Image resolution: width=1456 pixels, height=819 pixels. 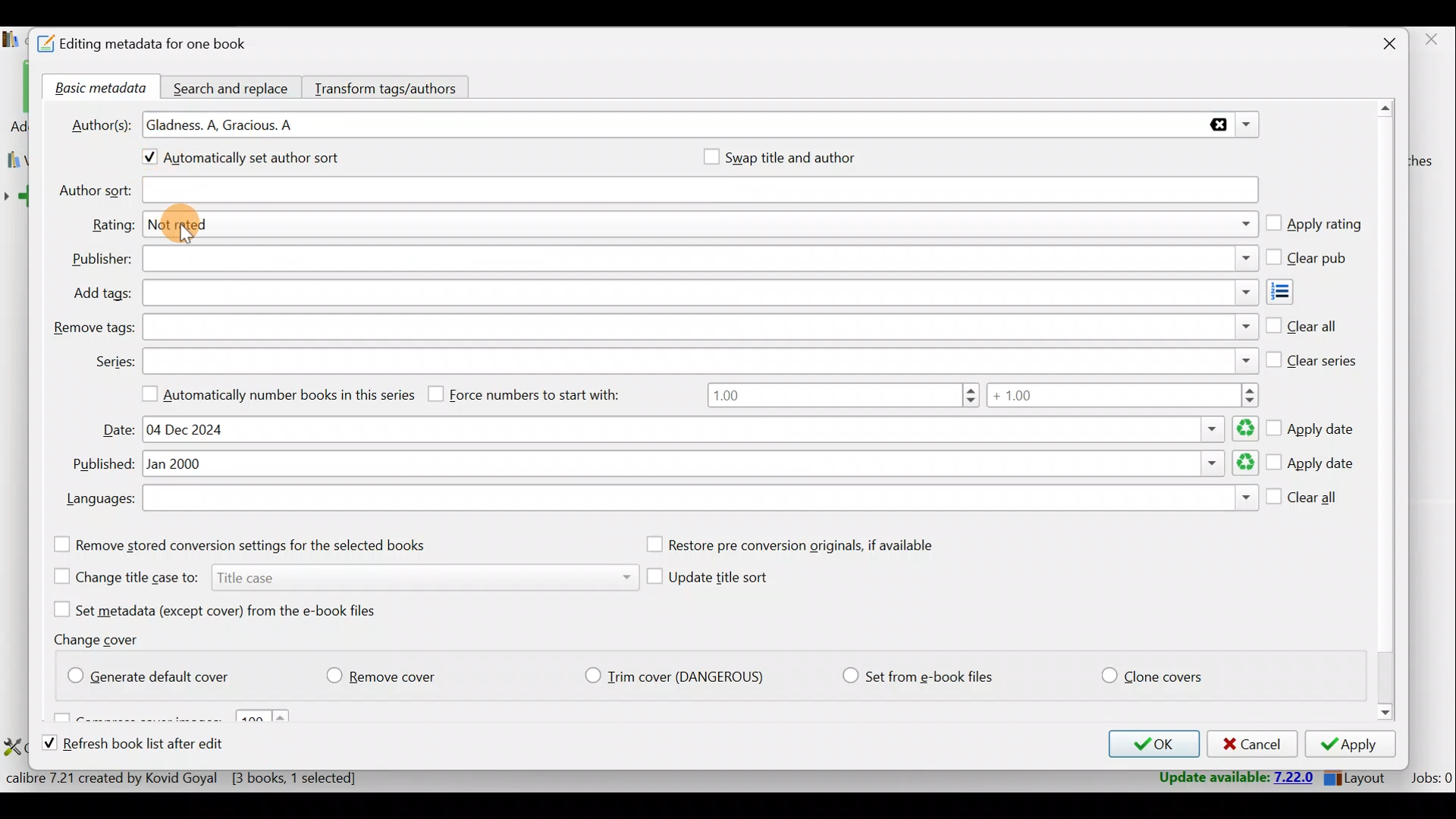 What do you see at coordinates (698, 327) in the screenshot?
I see `Remove tags` at bounding box center [698, 327].